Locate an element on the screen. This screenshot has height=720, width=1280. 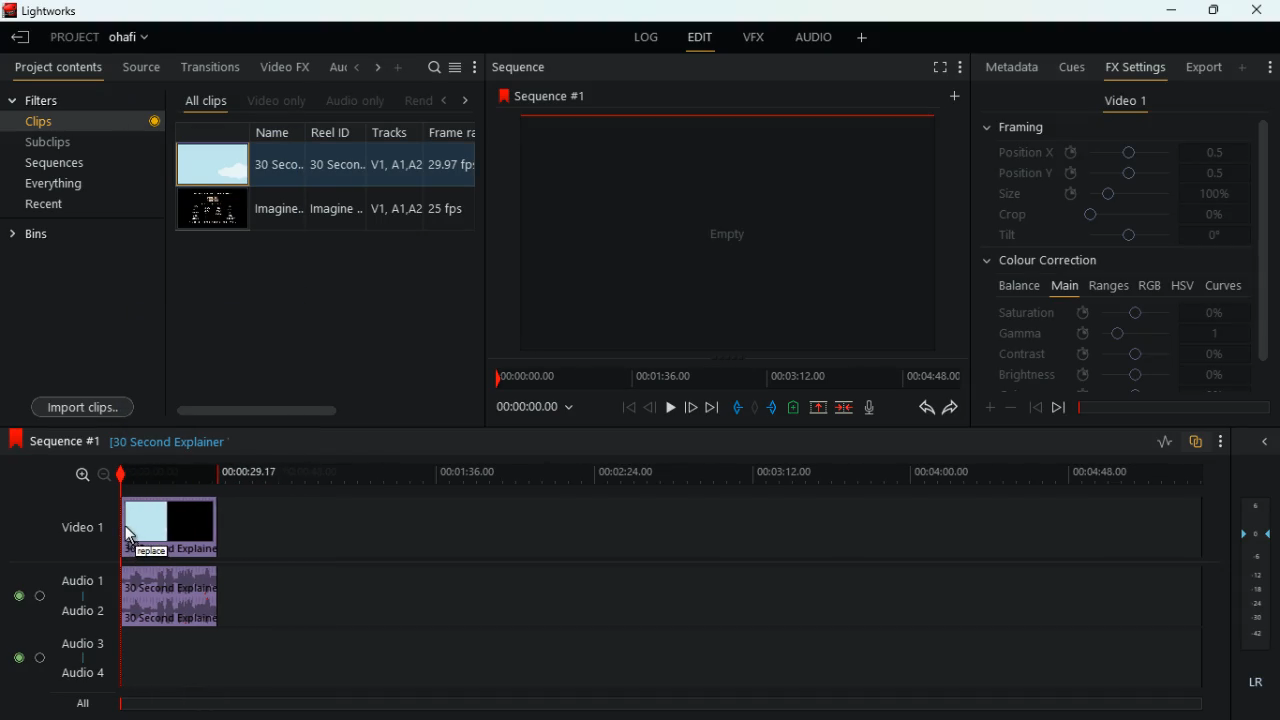
gamma is located at coordinates (1123, 335).